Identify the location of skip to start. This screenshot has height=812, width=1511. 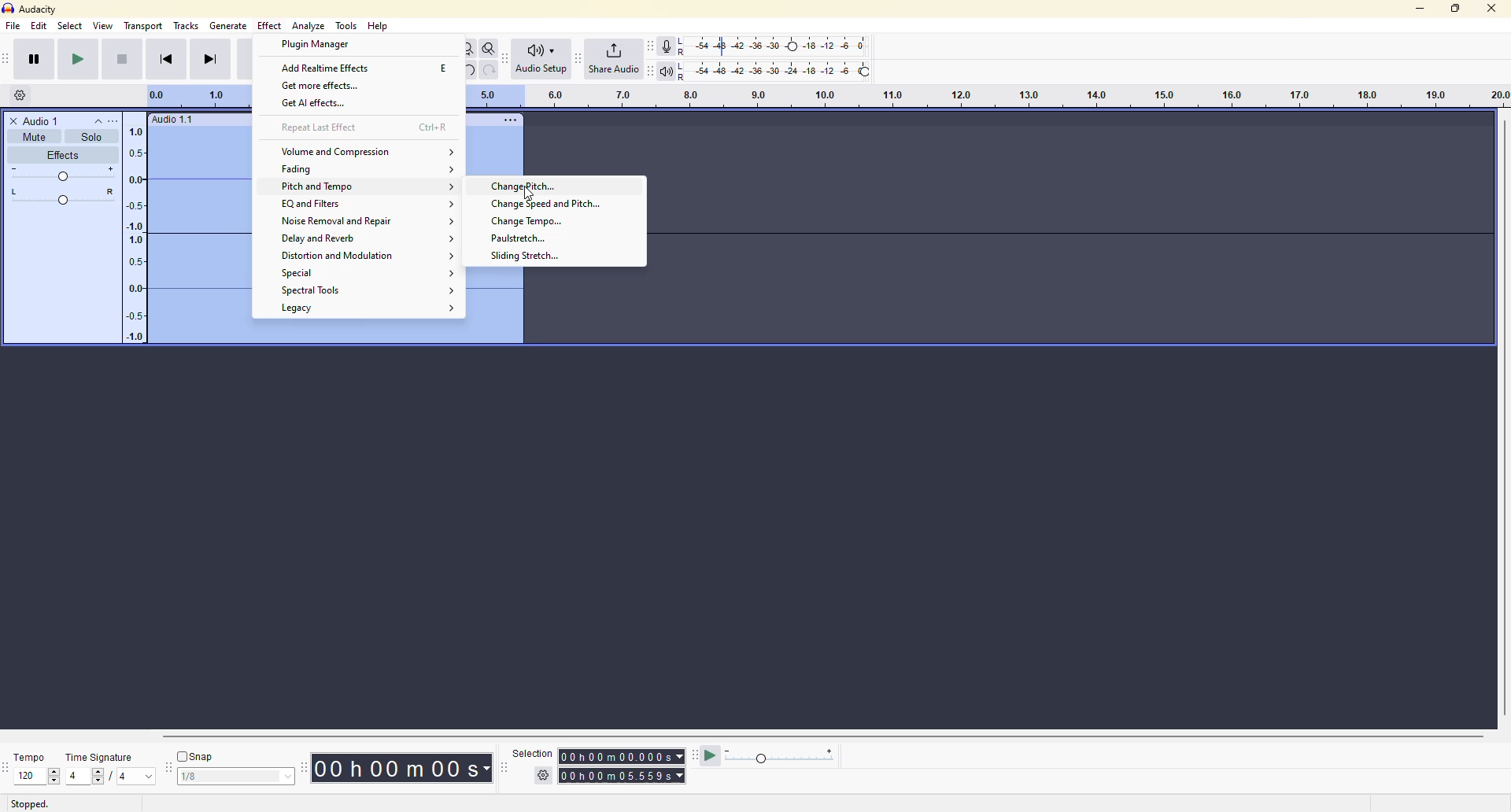
(166, 58).